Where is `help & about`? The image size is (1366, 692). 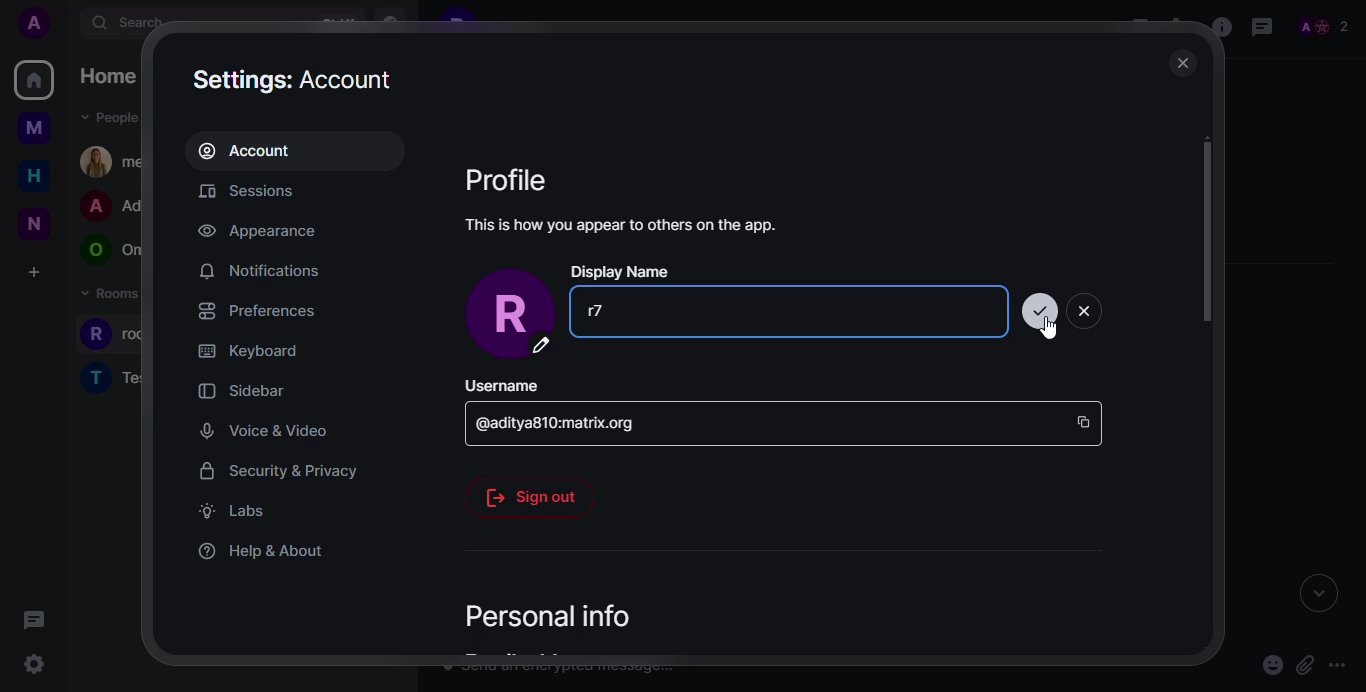
help & about is located at coordinates (260, 550).